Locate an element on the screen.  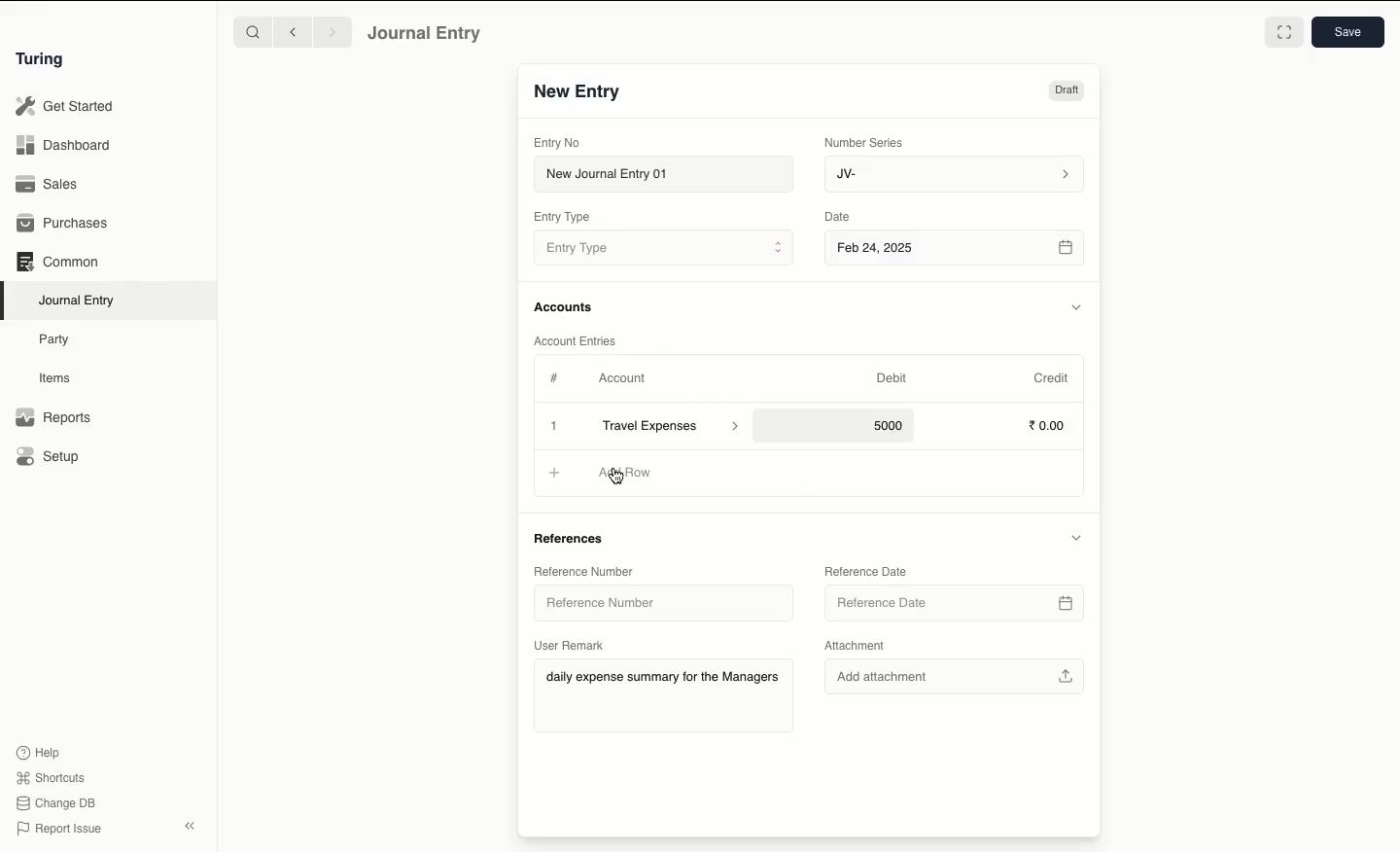
Reference Number is located at coordinates (656, 603).